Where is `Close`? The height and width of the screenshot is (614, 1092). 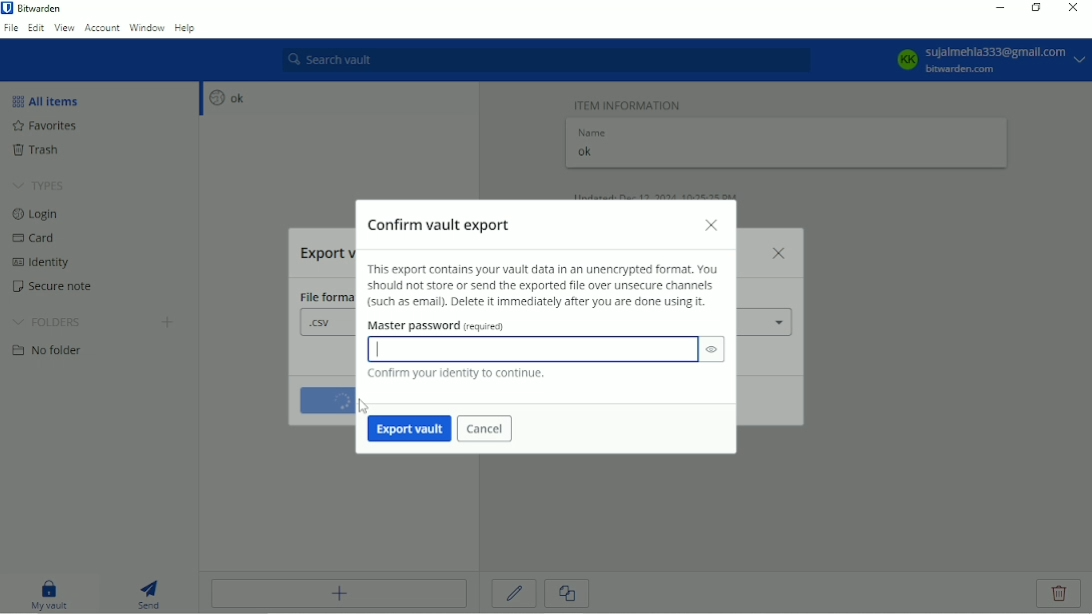
Close is located at coordinates (712, 226).